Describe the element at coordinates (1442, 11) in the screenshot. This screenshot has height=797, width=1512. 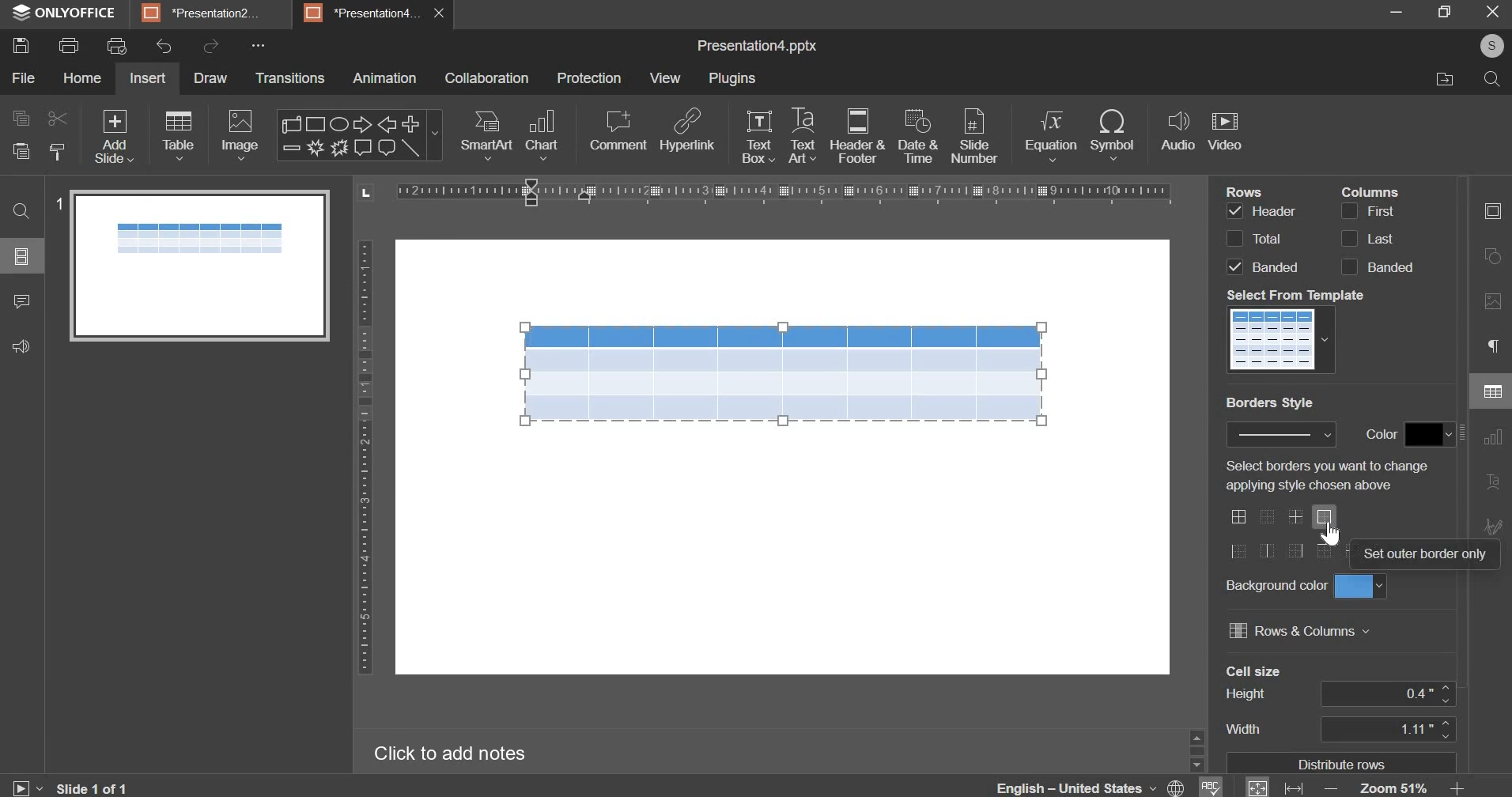
I see `restore down` at that location.